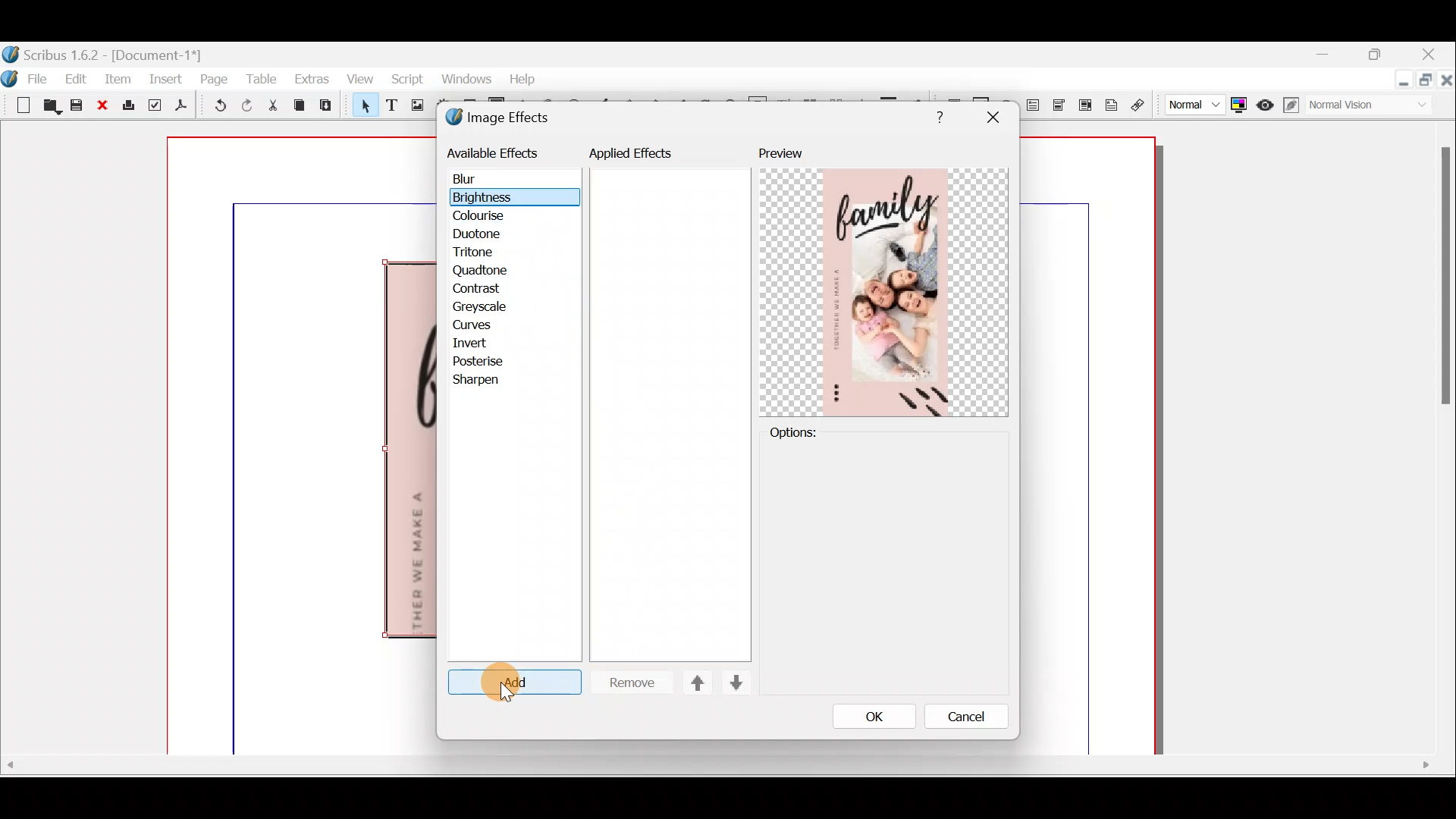 This screenshot has width=1456, height=819. What do you see at coordinates (1376, 106) in the screenshot?
I see `Visual appearance of display` at bounding box center [1376, 106].